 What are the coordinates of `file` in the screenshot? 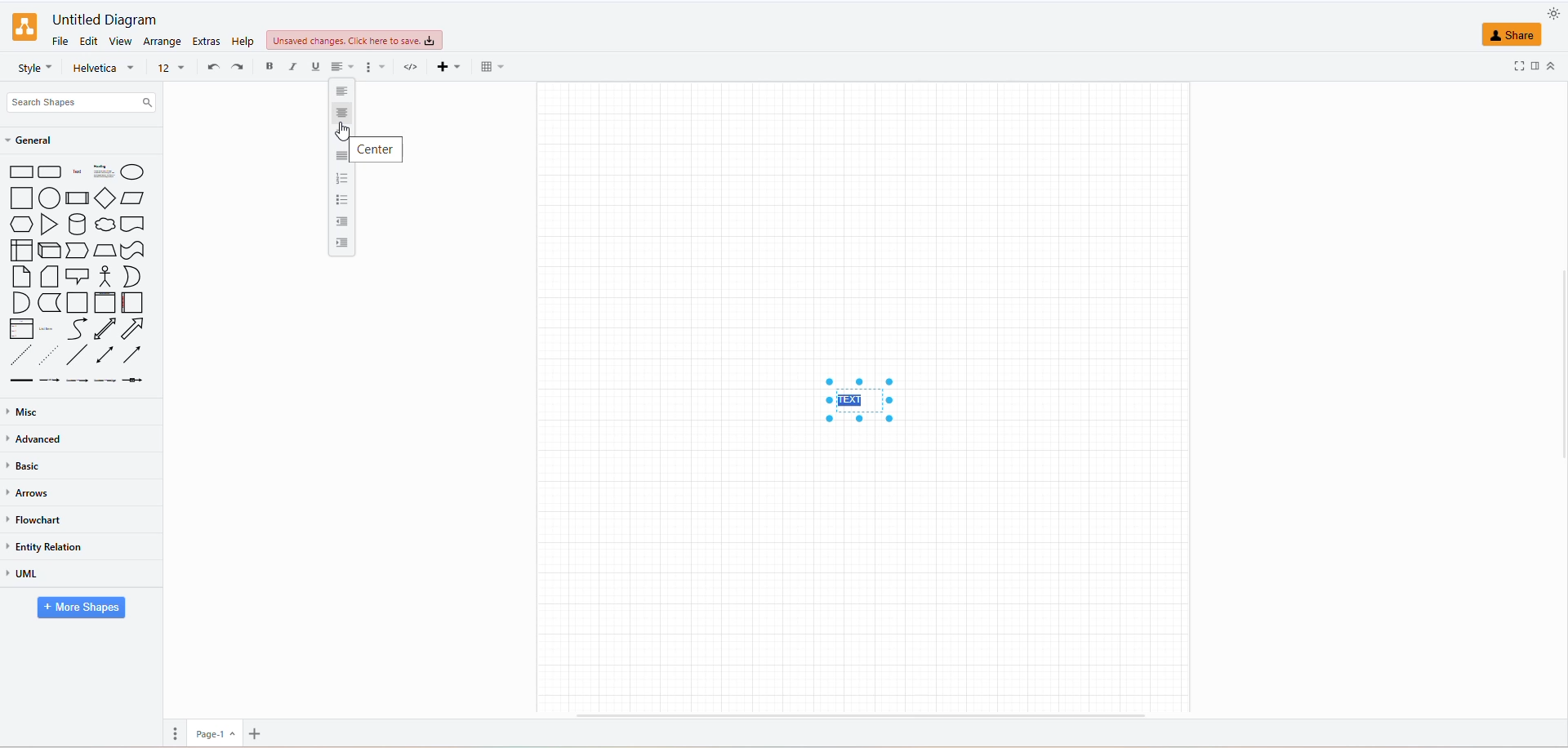 It's located at (59, 40).